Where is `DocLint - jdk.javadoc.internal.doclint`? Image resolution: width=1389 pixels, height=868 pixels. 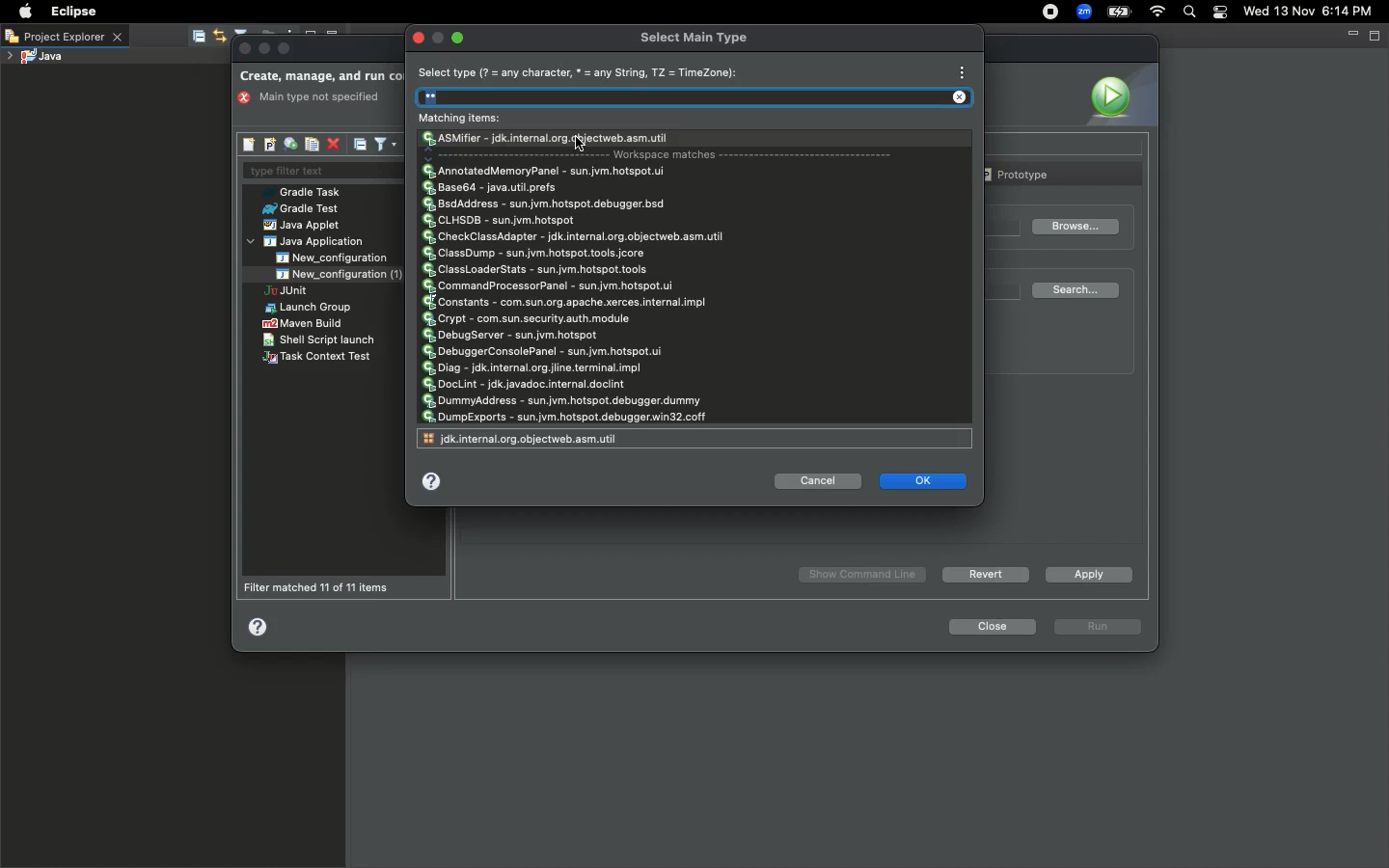
DocLint - jdk.javadoc.internal.doclint is located at coordinates (526, 384).